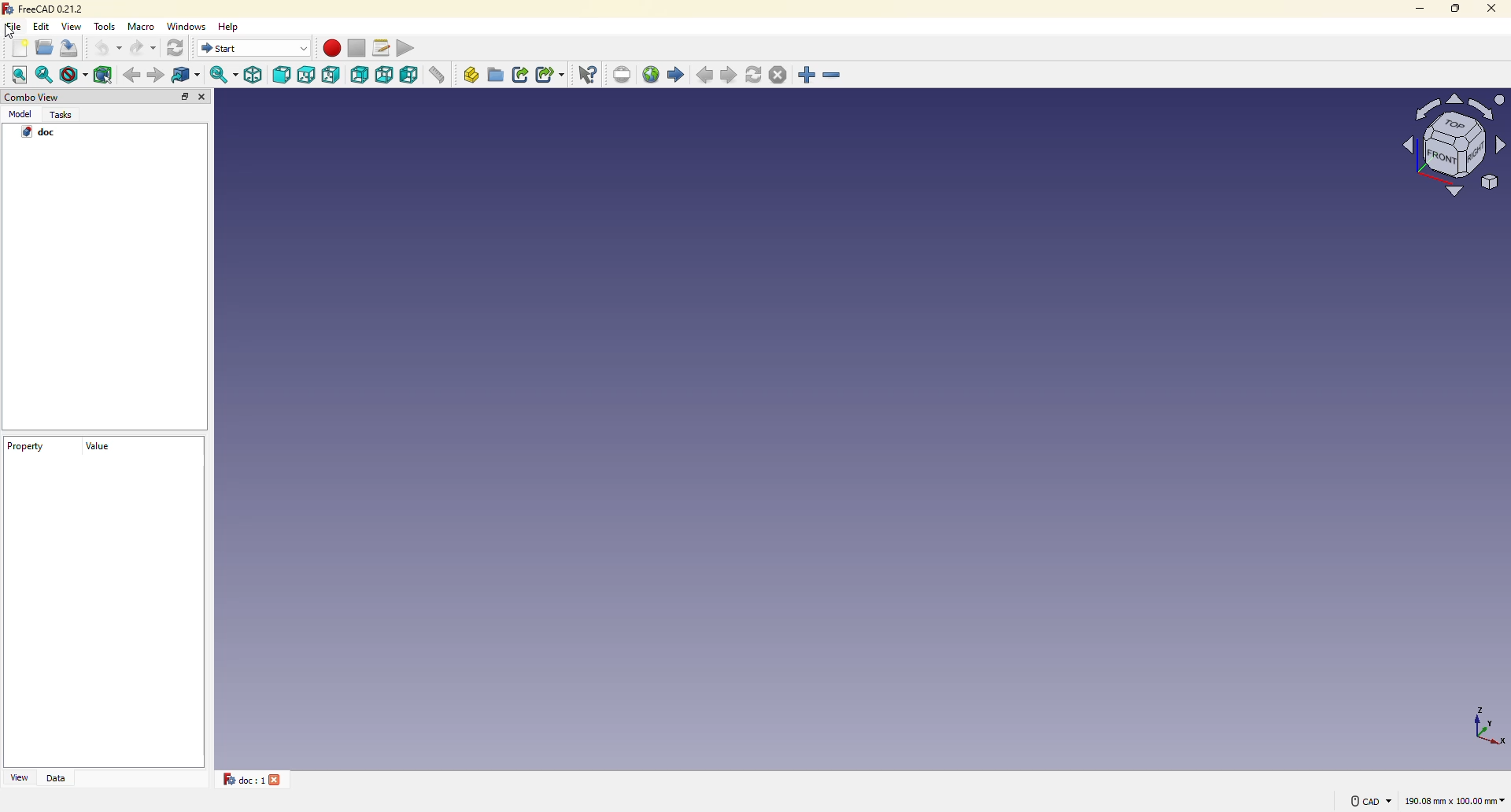 The image size is (1511, 812). What do you see at coordinates (40, 133) in the screenshot?
I see `doc` at bounding box center [40, 133].